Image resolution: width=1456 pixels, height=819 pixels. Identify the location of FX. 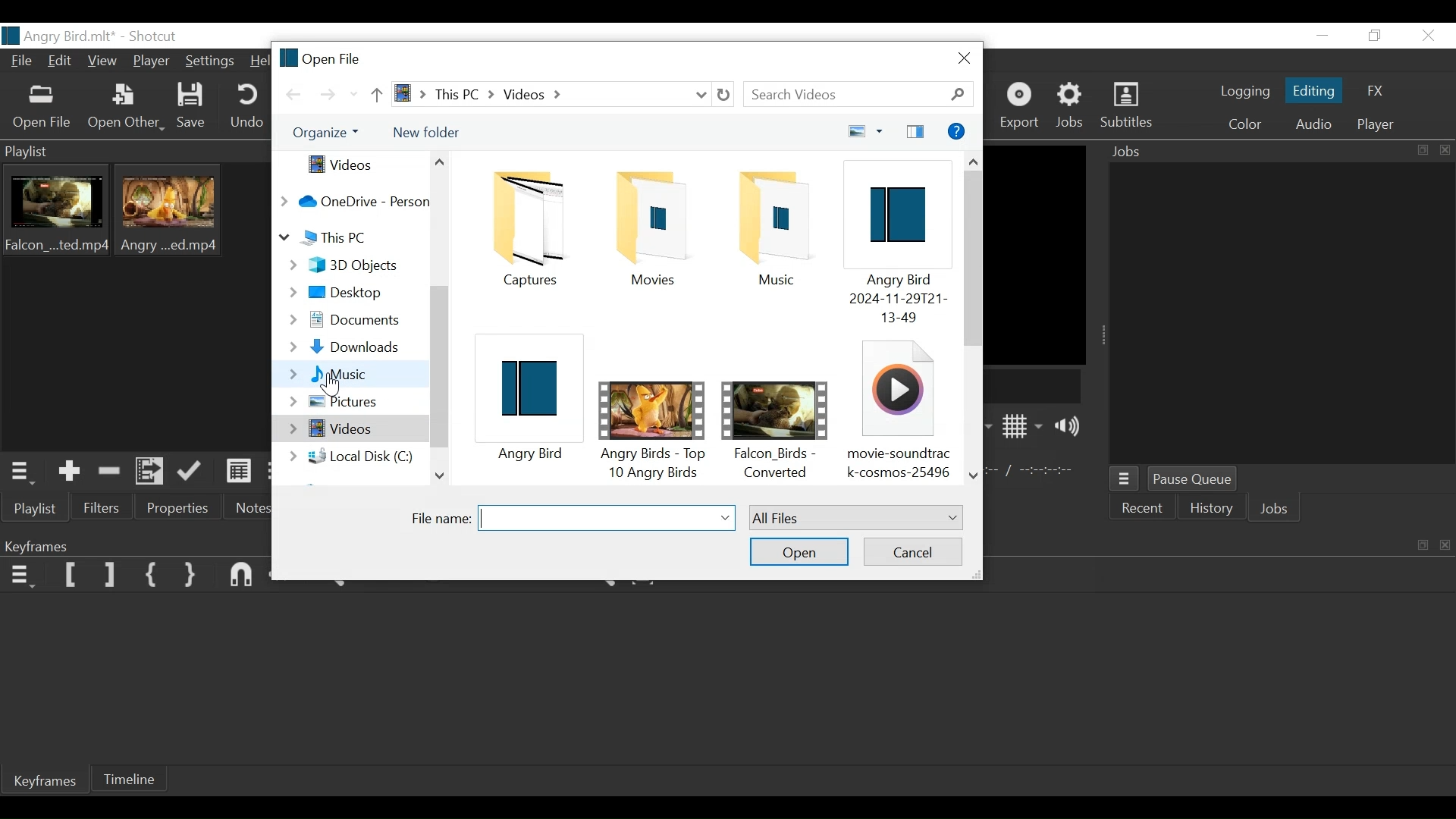
(1380, 89).